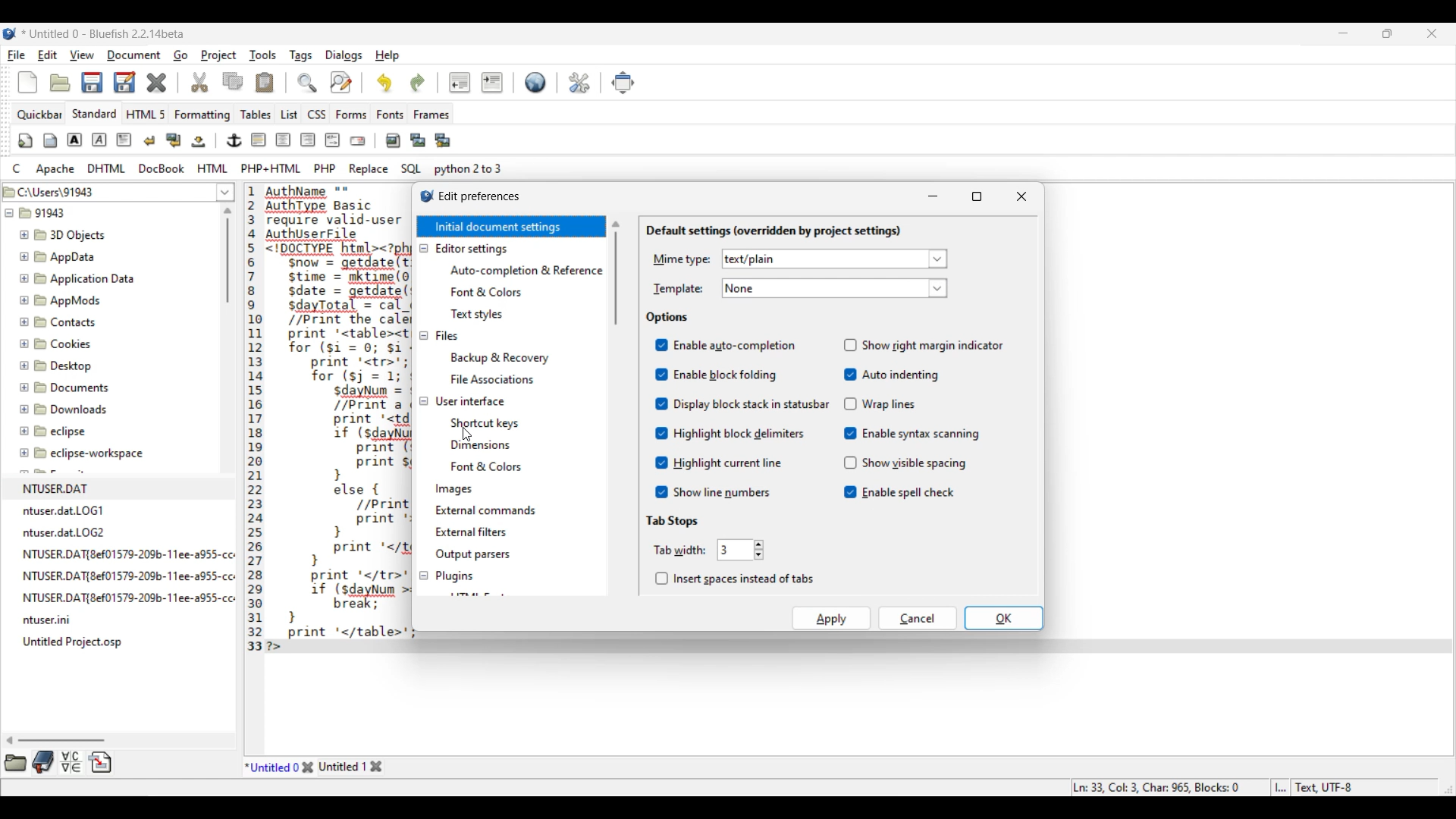 The height and width of the screenshot is (819, 1456). What do you see at coordinates (325, 82) in the screenshot?
I see `Search and find` at bounding box center [325, 82].